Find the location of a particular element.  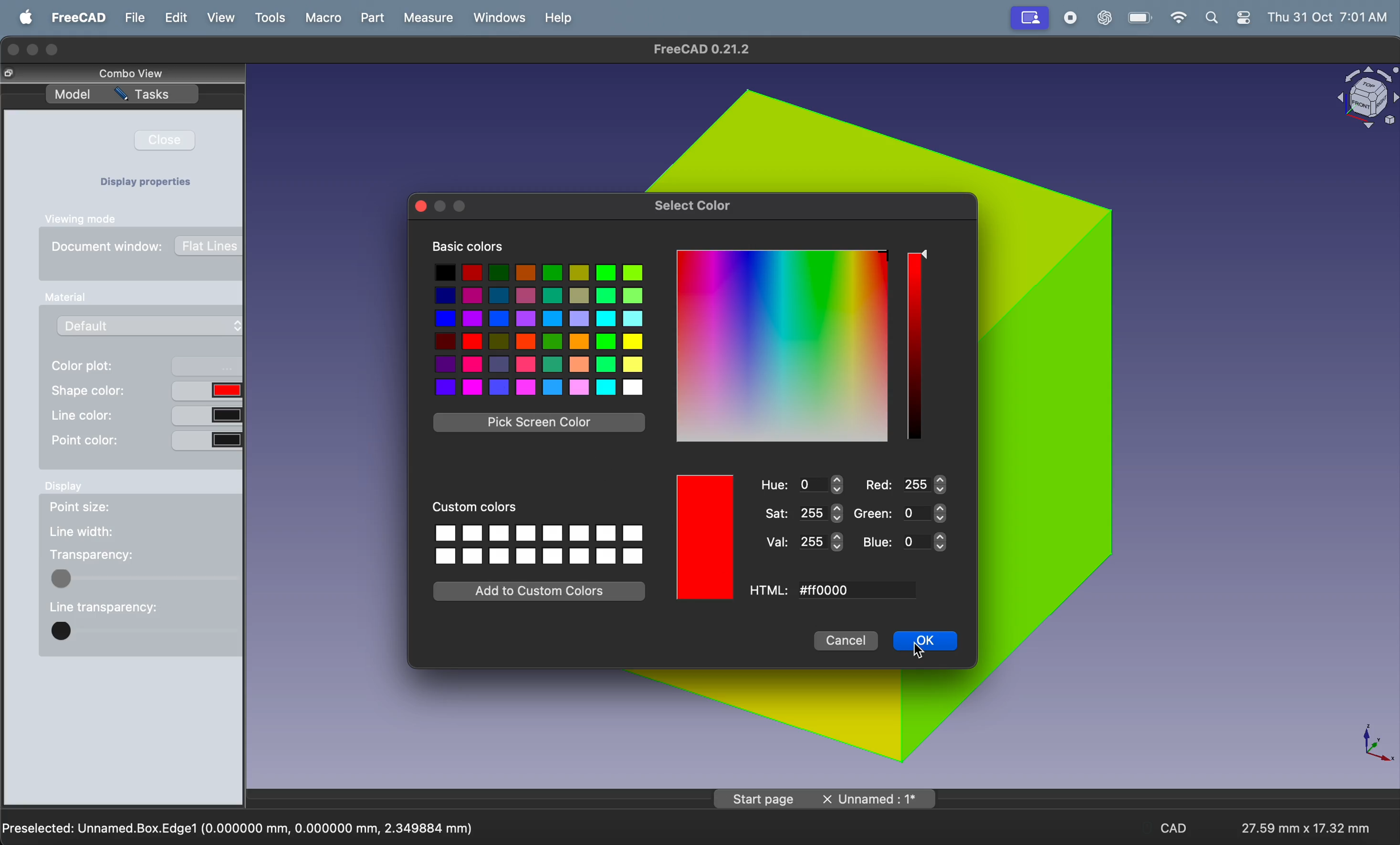

edit is located at coordinates (176, 19).